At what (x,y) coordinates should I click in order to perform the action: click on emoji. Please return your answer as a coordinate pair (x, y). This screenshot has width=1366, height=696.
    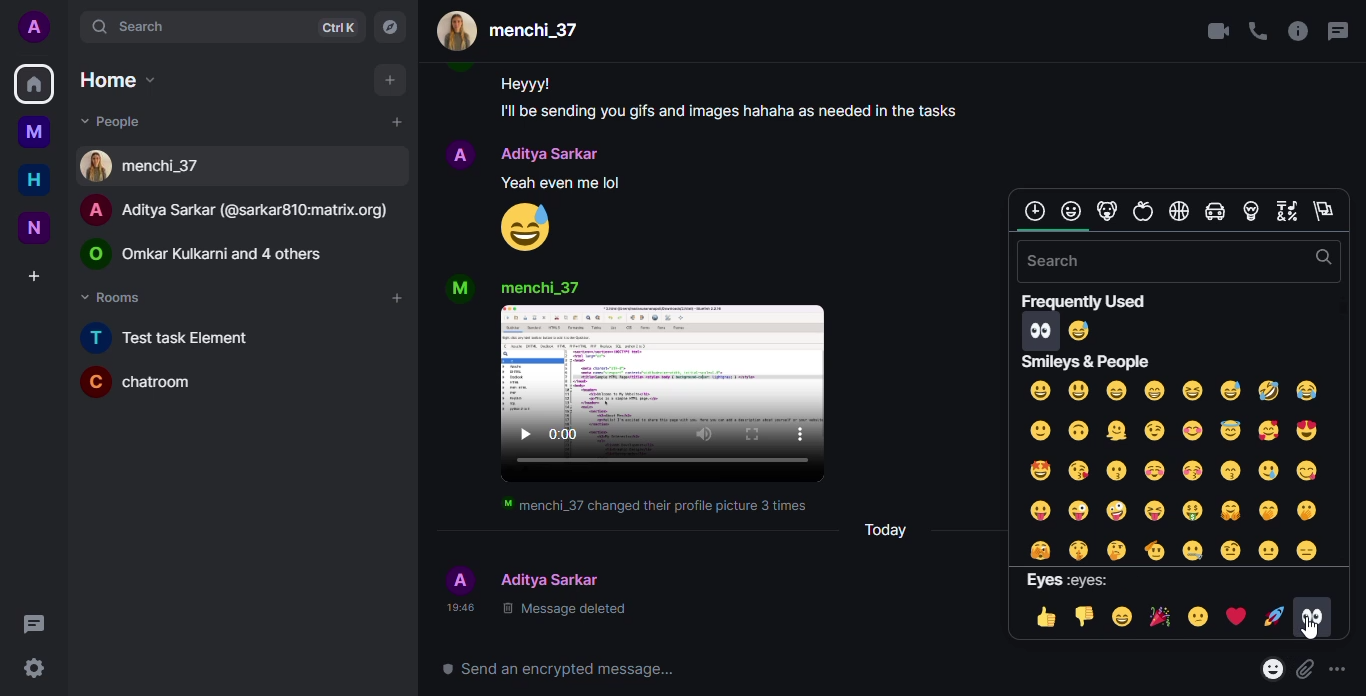
    Looking at the image, I should click on (1079, 331).